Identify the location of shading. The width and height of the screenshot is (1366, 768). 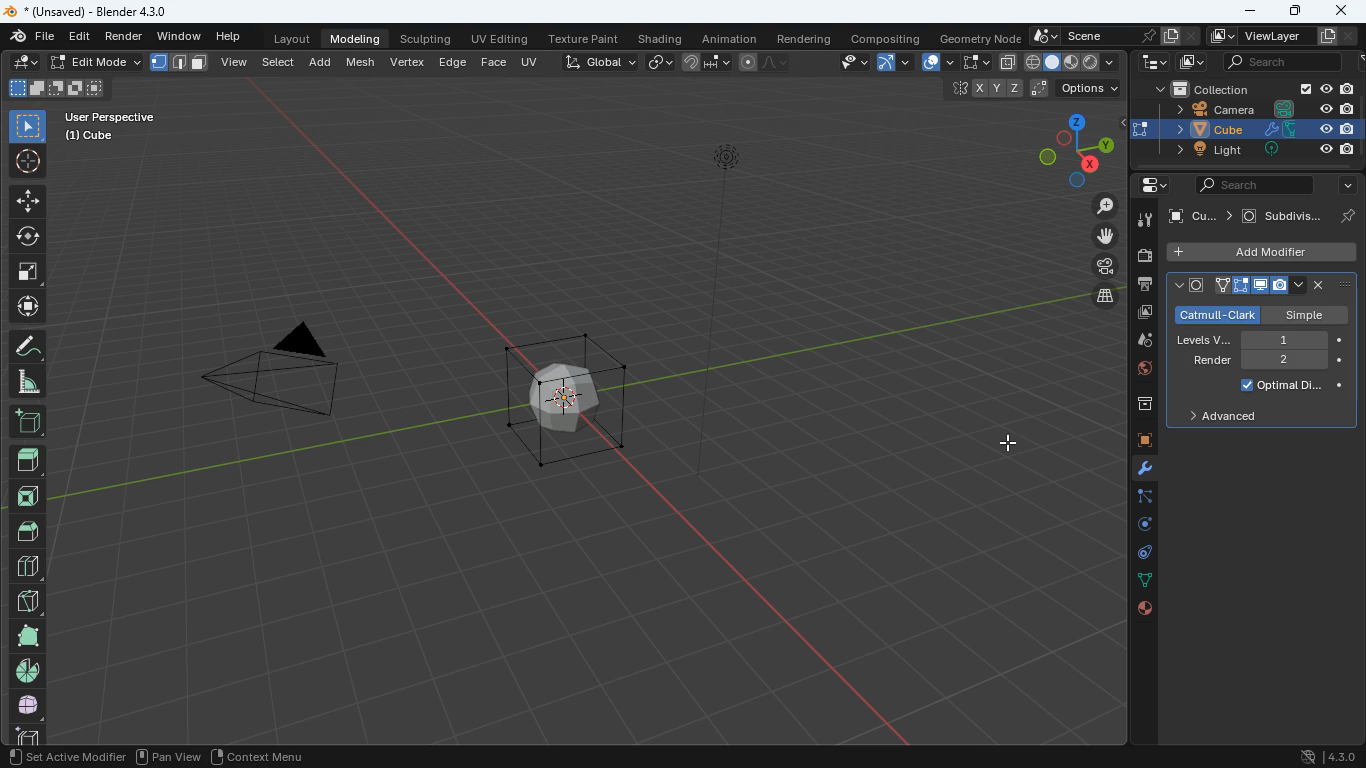
(660, 39).